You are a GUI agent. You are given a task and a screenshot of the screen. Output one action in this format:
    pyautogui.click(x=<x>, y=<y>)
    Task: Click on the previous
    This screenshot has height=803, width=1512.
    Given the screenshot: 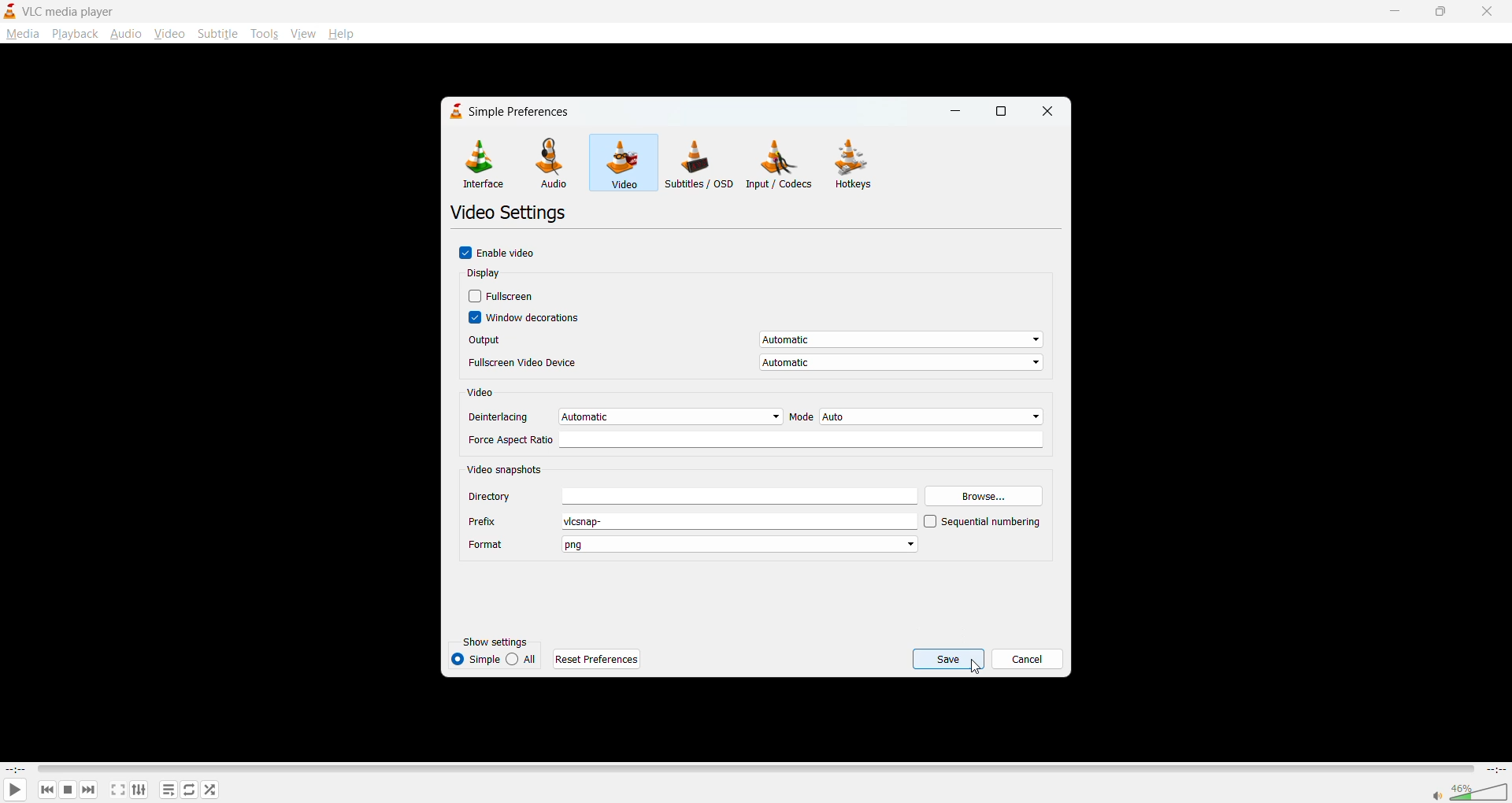 What is the action you would take?
    pyautogui.click(x=46, y=790)
    